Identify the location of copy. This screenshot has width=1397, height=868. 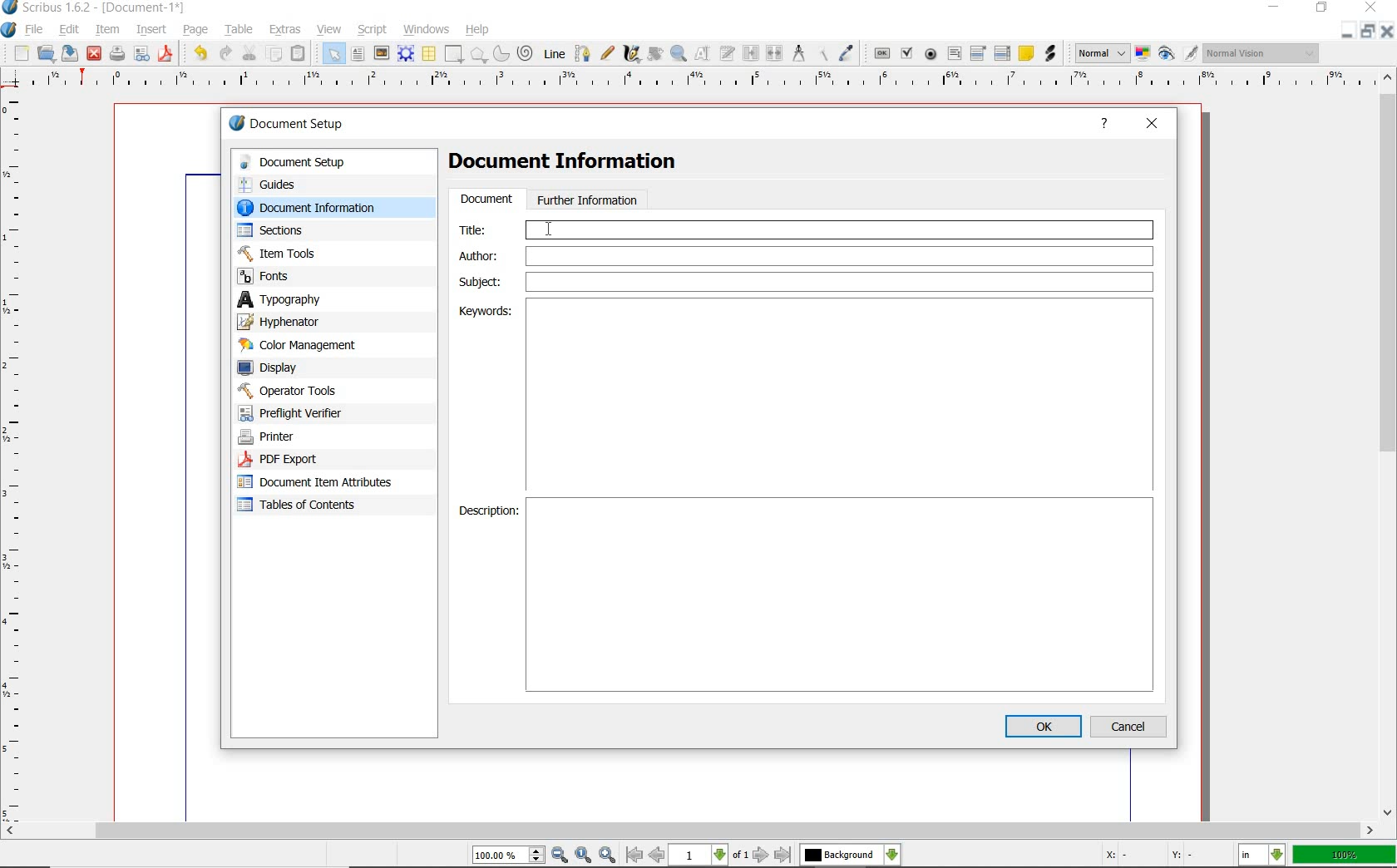
(274, 53).